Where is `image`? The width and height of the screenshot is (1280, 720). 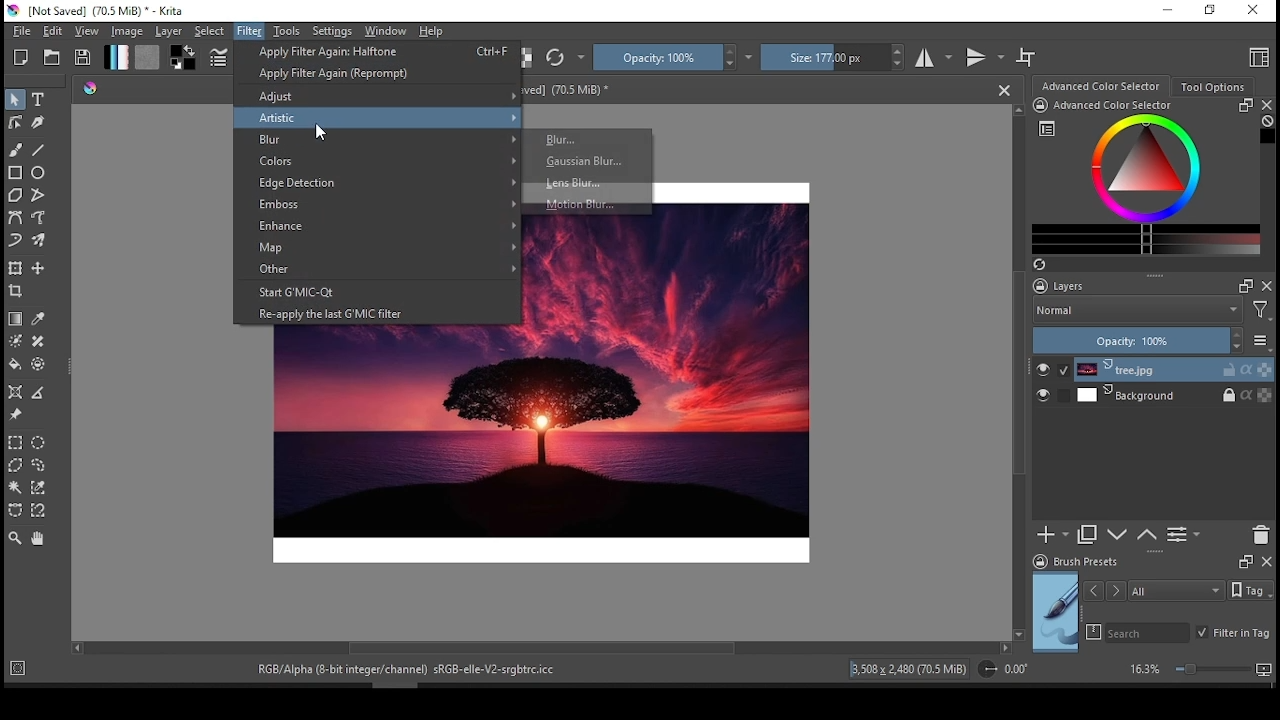 image is located at coordinates (539, 438).